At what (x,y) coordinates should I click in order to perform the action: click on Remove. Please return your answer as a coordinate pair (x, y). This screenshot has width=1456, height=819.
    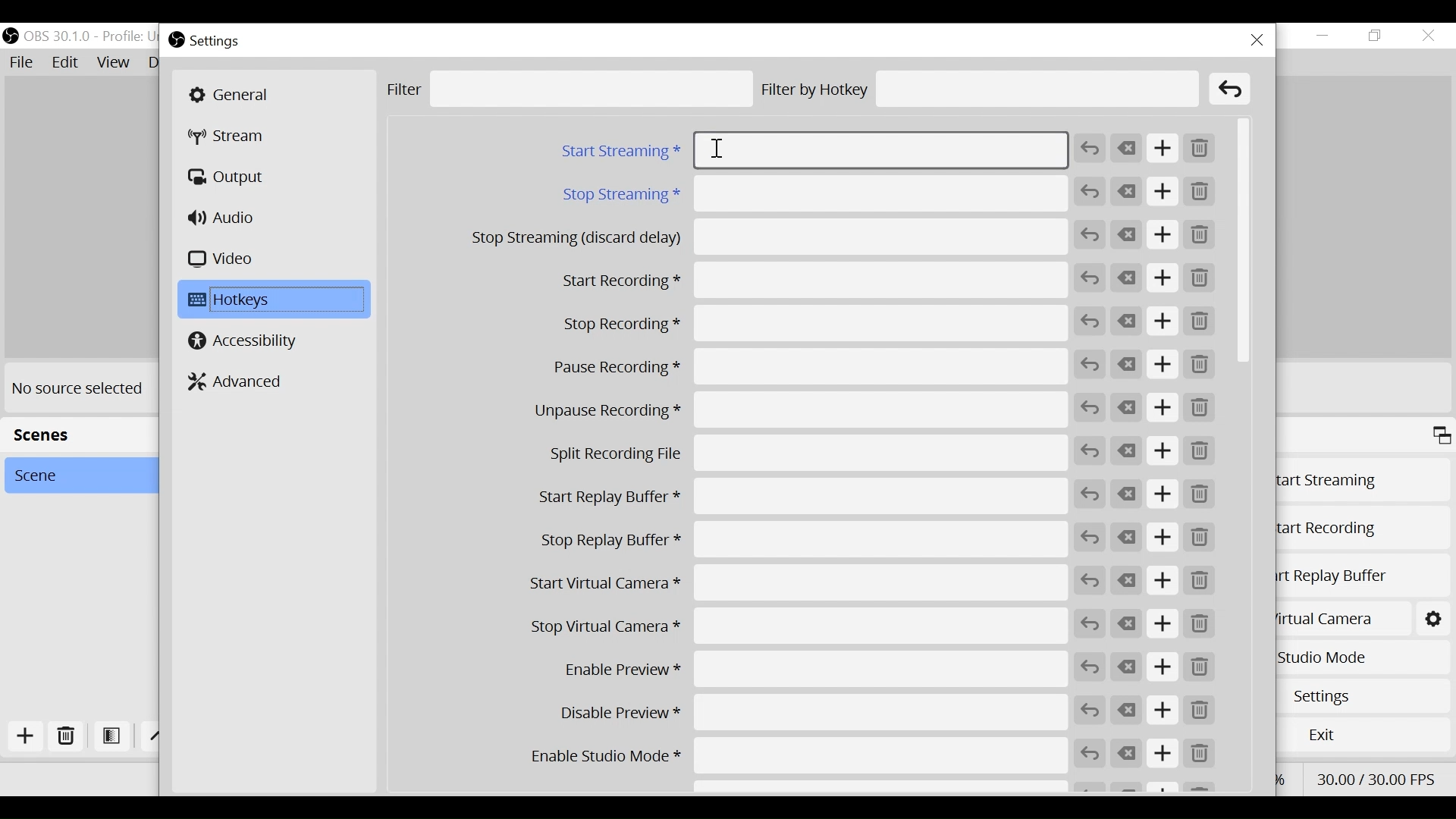
    Looking at the image, I should click on (1200, 582).